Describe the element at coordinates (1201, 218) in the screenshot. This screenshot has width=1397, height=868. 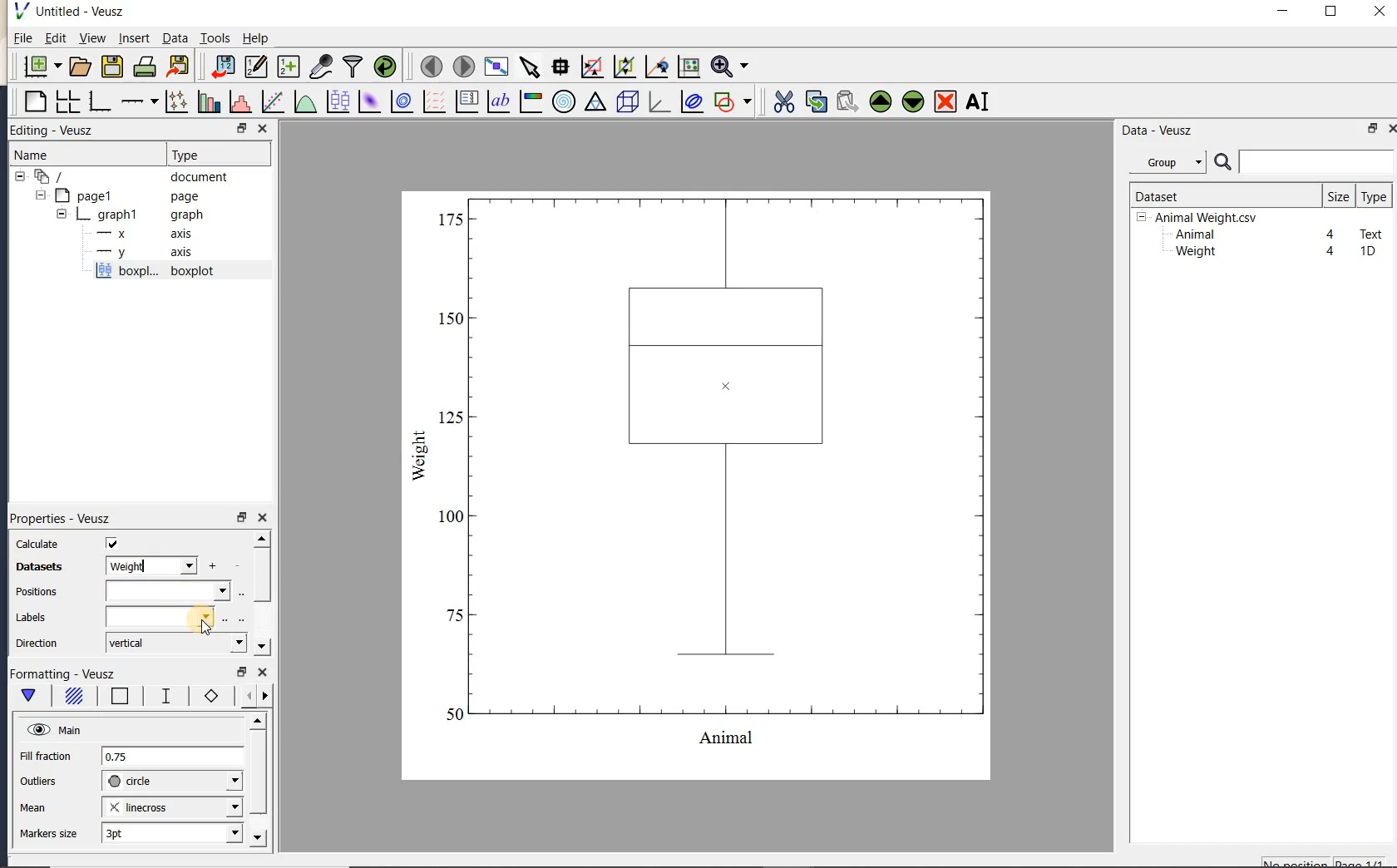
I see `Animalweight.csv` at that location.